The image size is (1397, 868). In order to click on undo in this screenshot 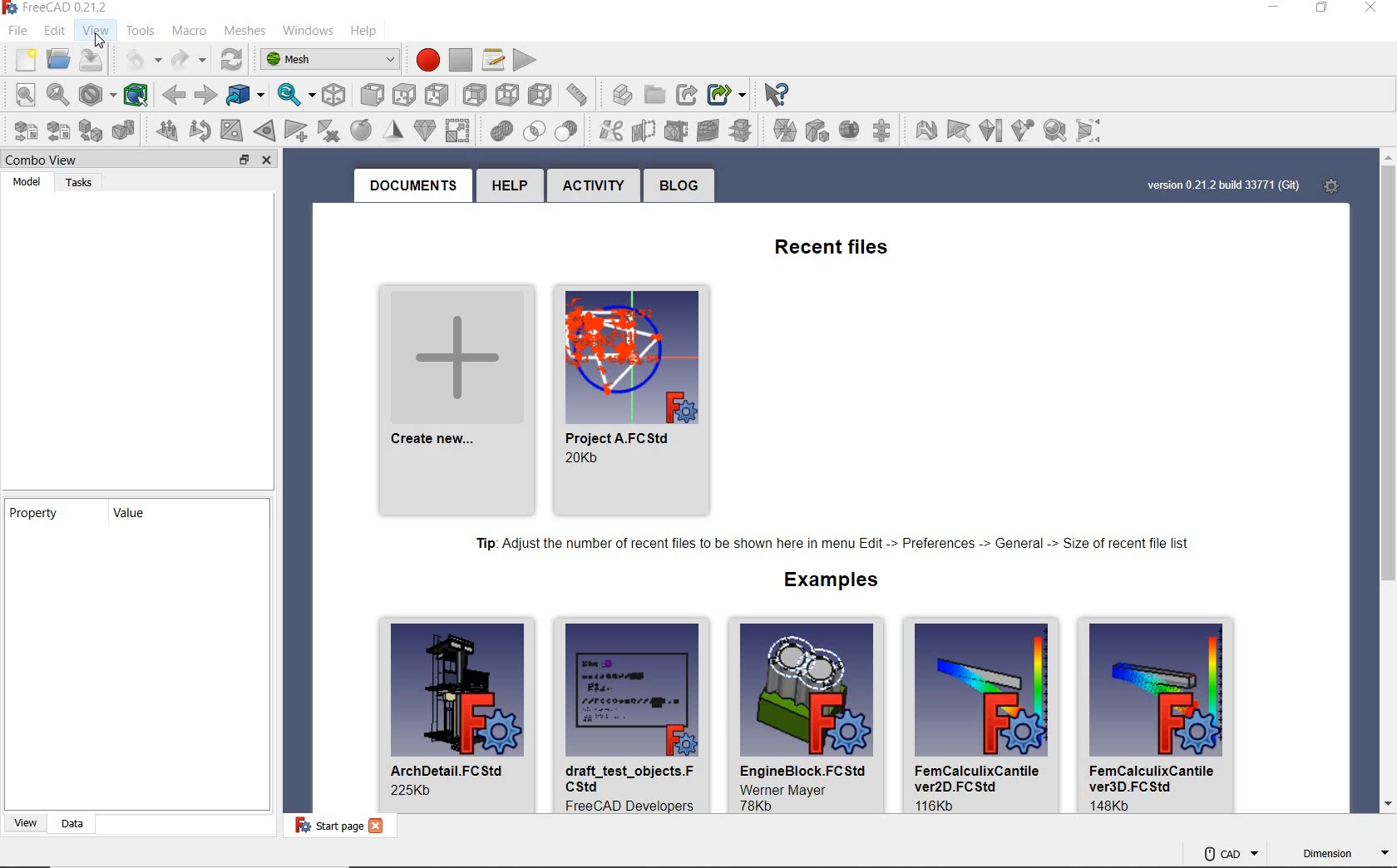, I will do `click(131, 60)`.